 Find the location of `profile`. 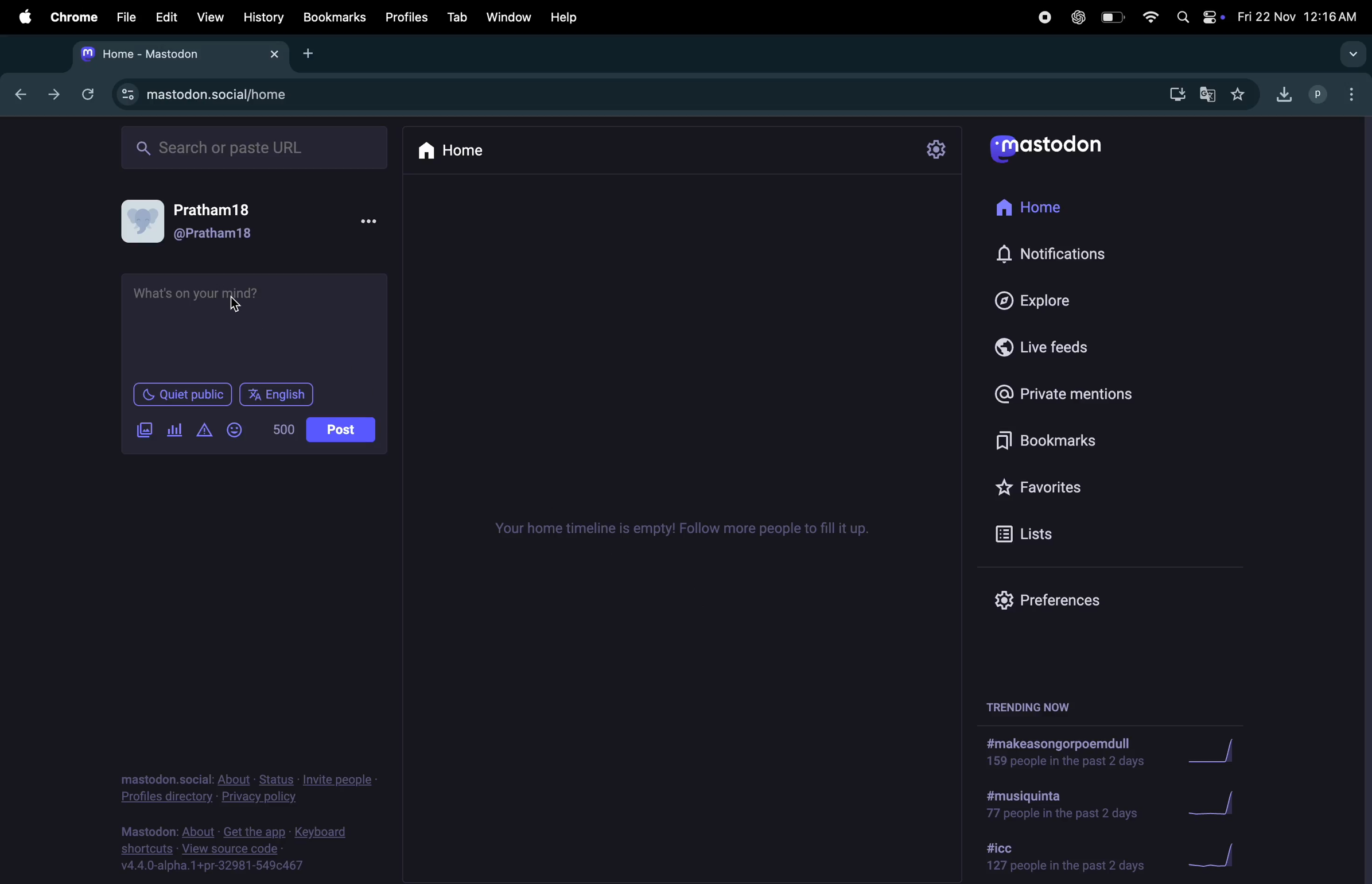

profile is located at coordinates (1315, 95).